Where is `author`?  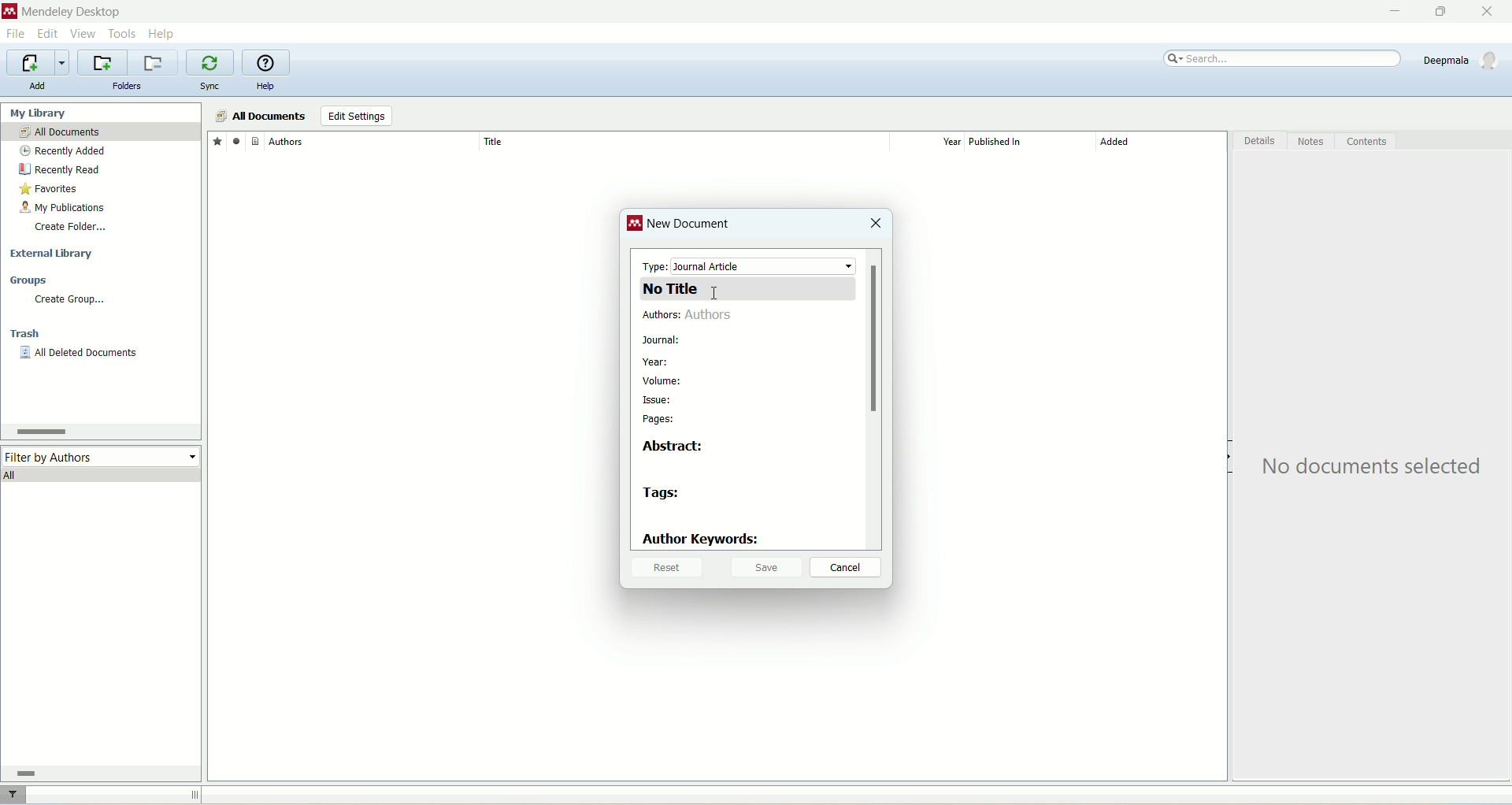 author is located at coordinates (373, 142).